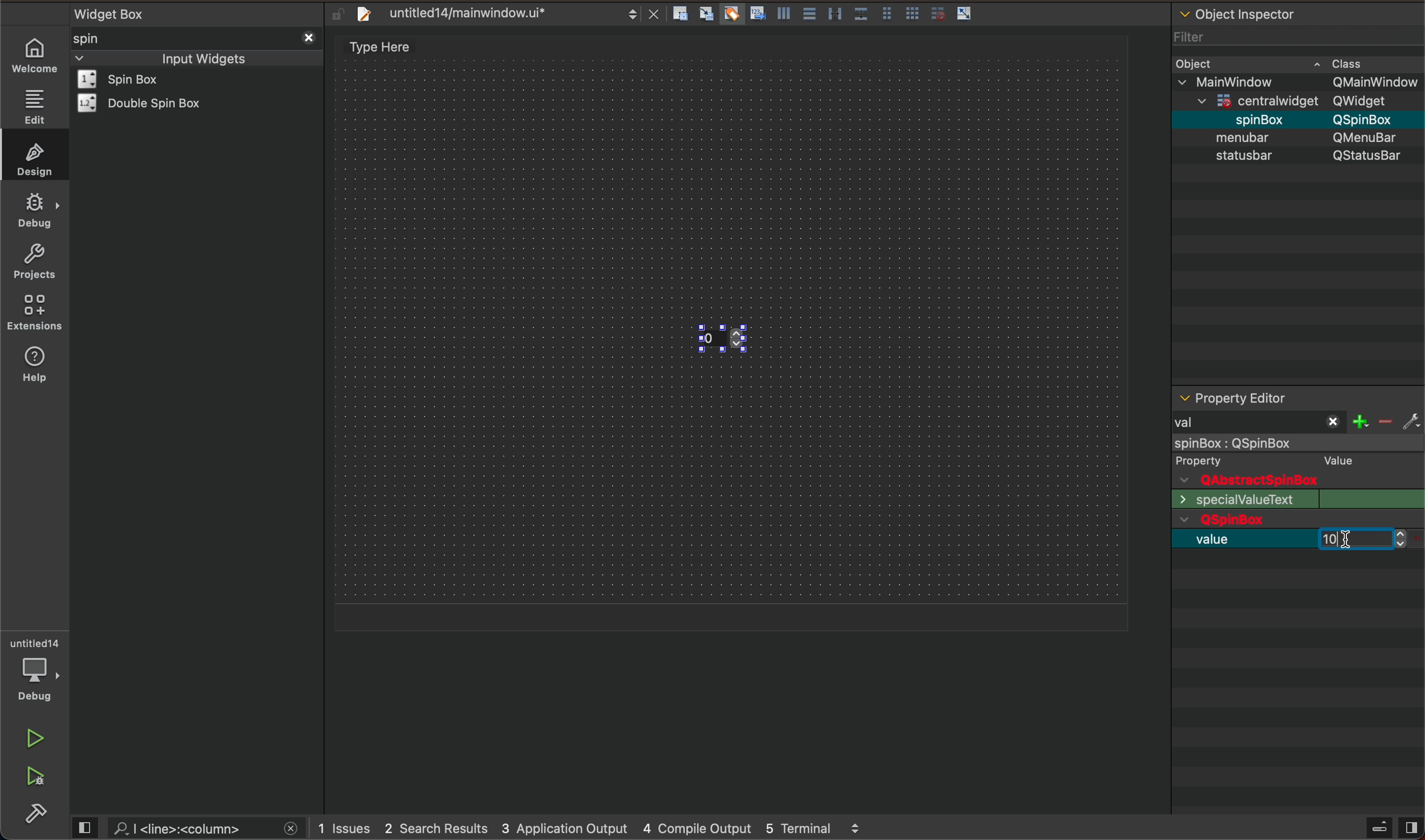  I want to click on , so click(1265, 98).